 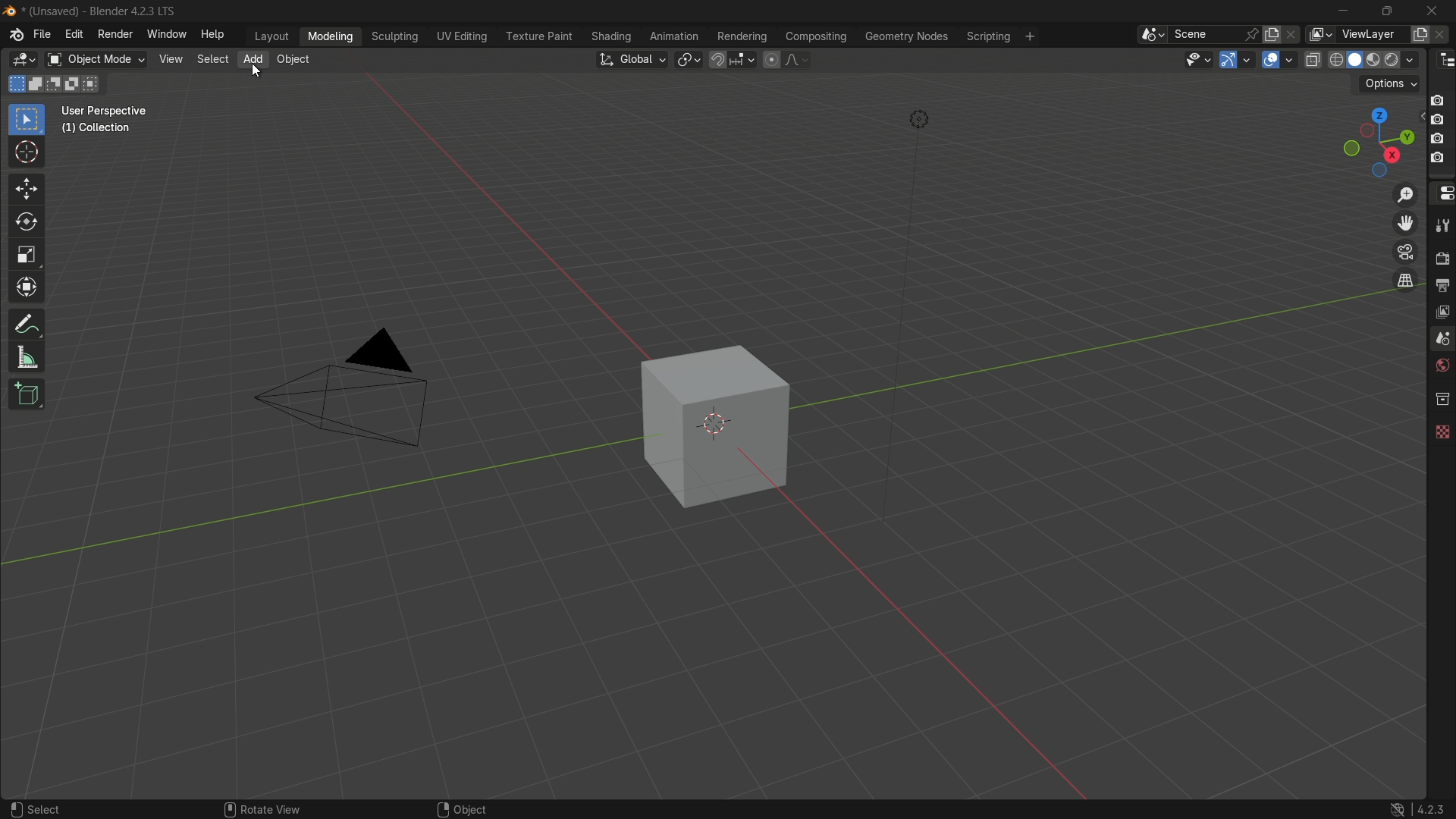 I want to click on remove layer, so click(x=1446, y=36).